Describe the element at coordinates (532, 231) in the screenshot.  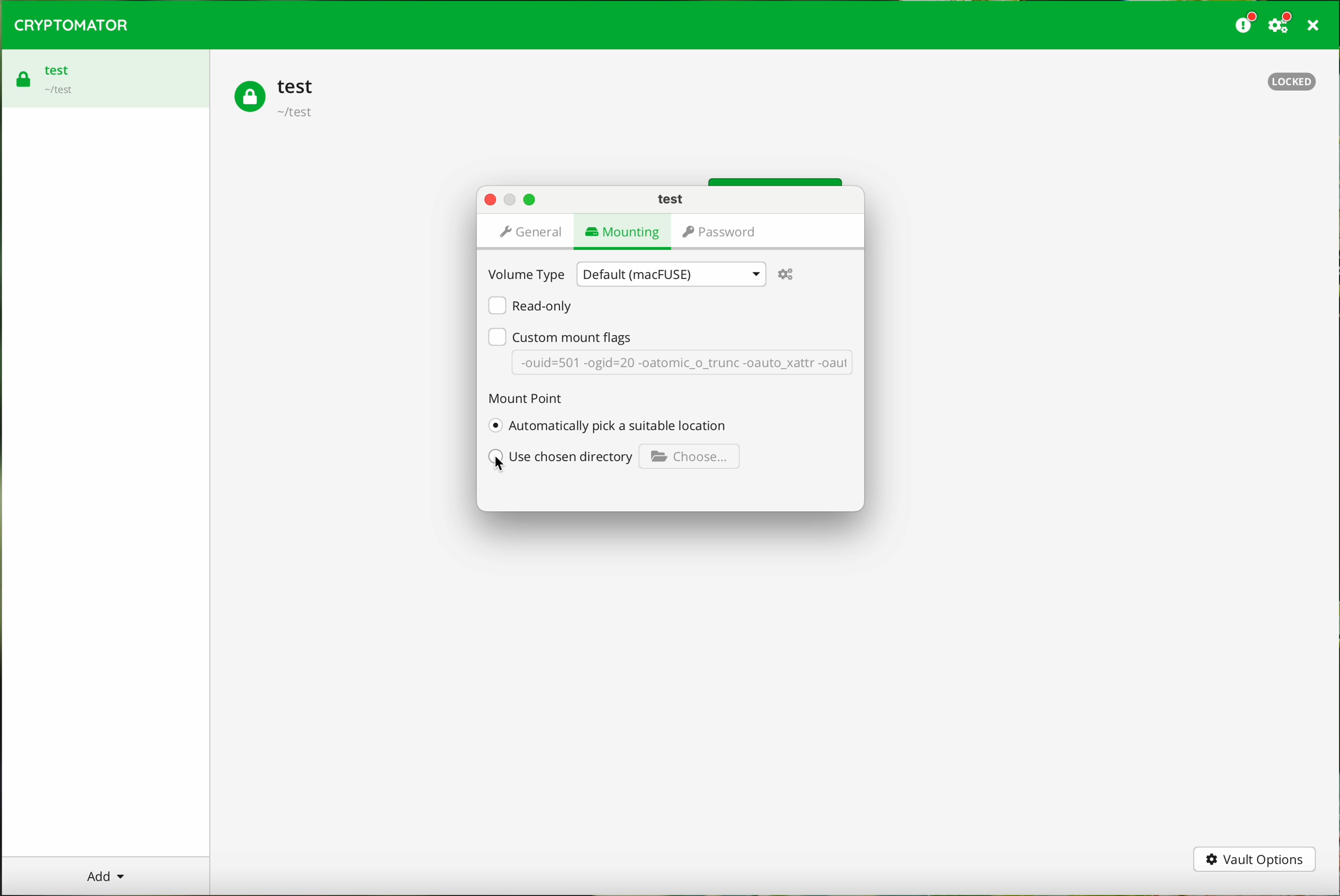
I see `general` at that location.